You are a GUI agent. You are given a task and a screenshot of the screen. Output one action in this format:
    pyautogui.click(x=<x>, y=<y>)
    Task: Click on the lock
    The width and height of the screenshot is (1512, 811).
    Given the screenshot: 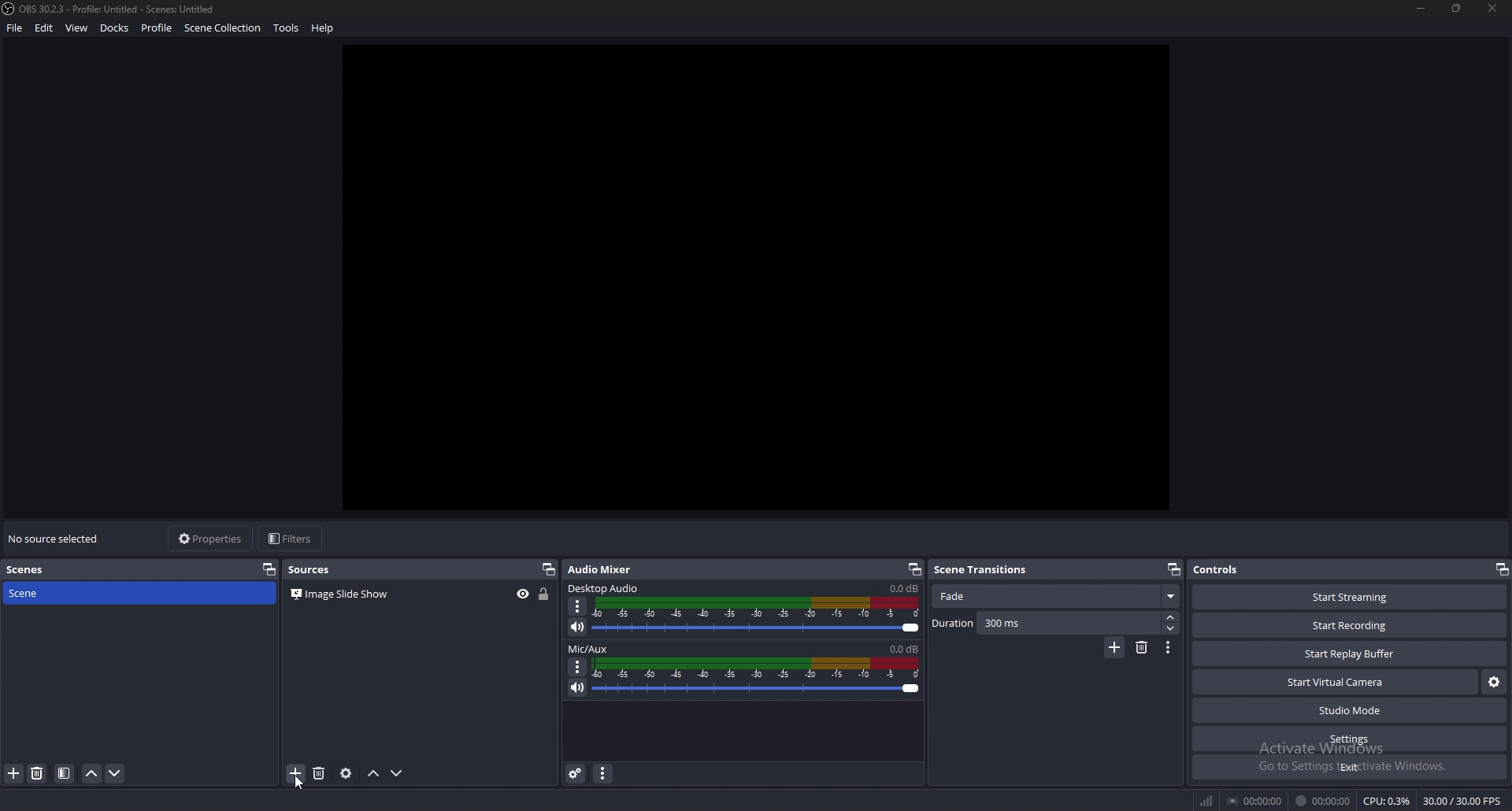 What is the action you would take?
    pyautogui.click(x=544, y=594)
    